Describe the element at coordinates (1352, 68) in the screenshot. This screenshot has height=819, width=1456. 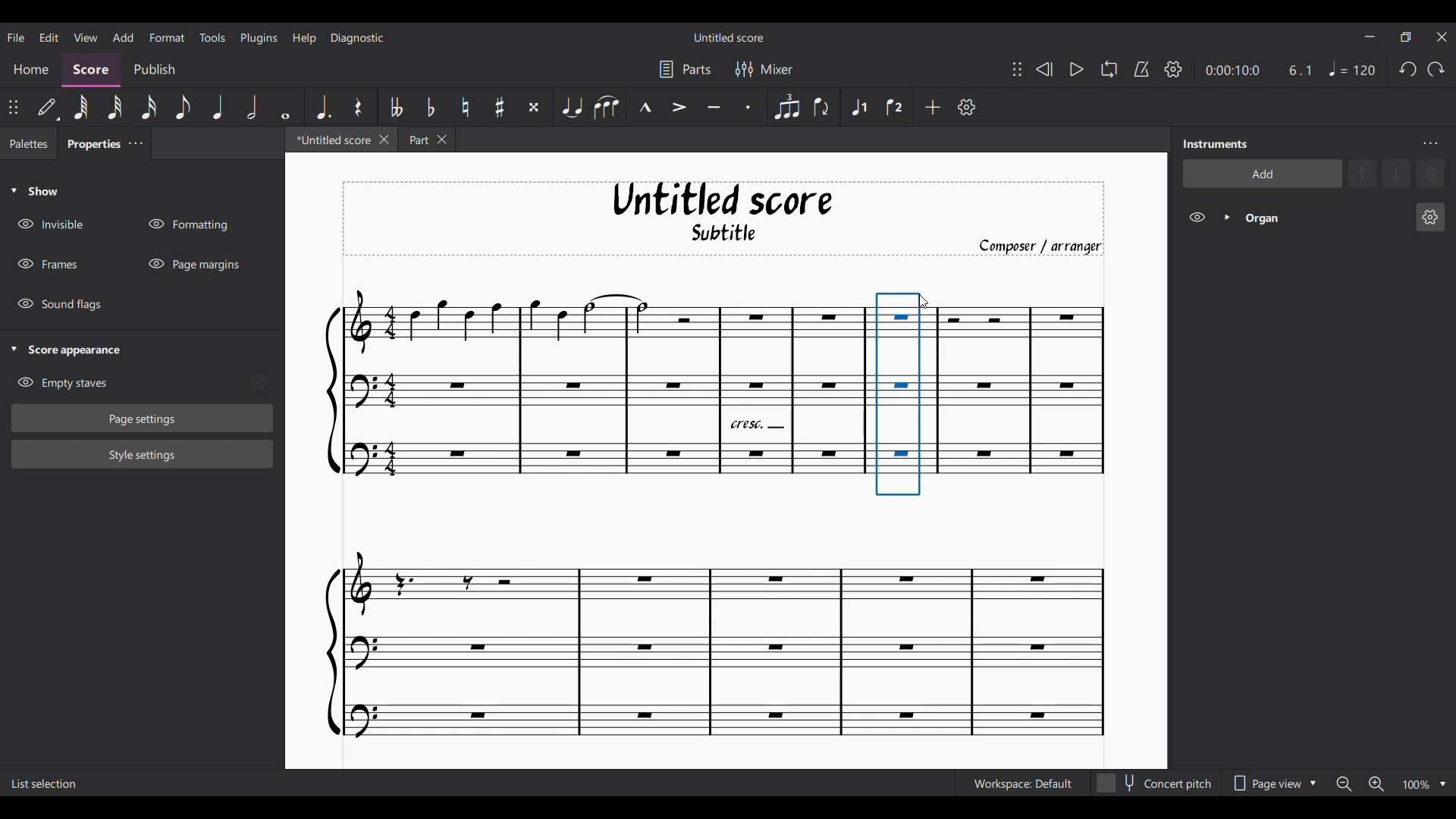
I see `Tempo` at that location.